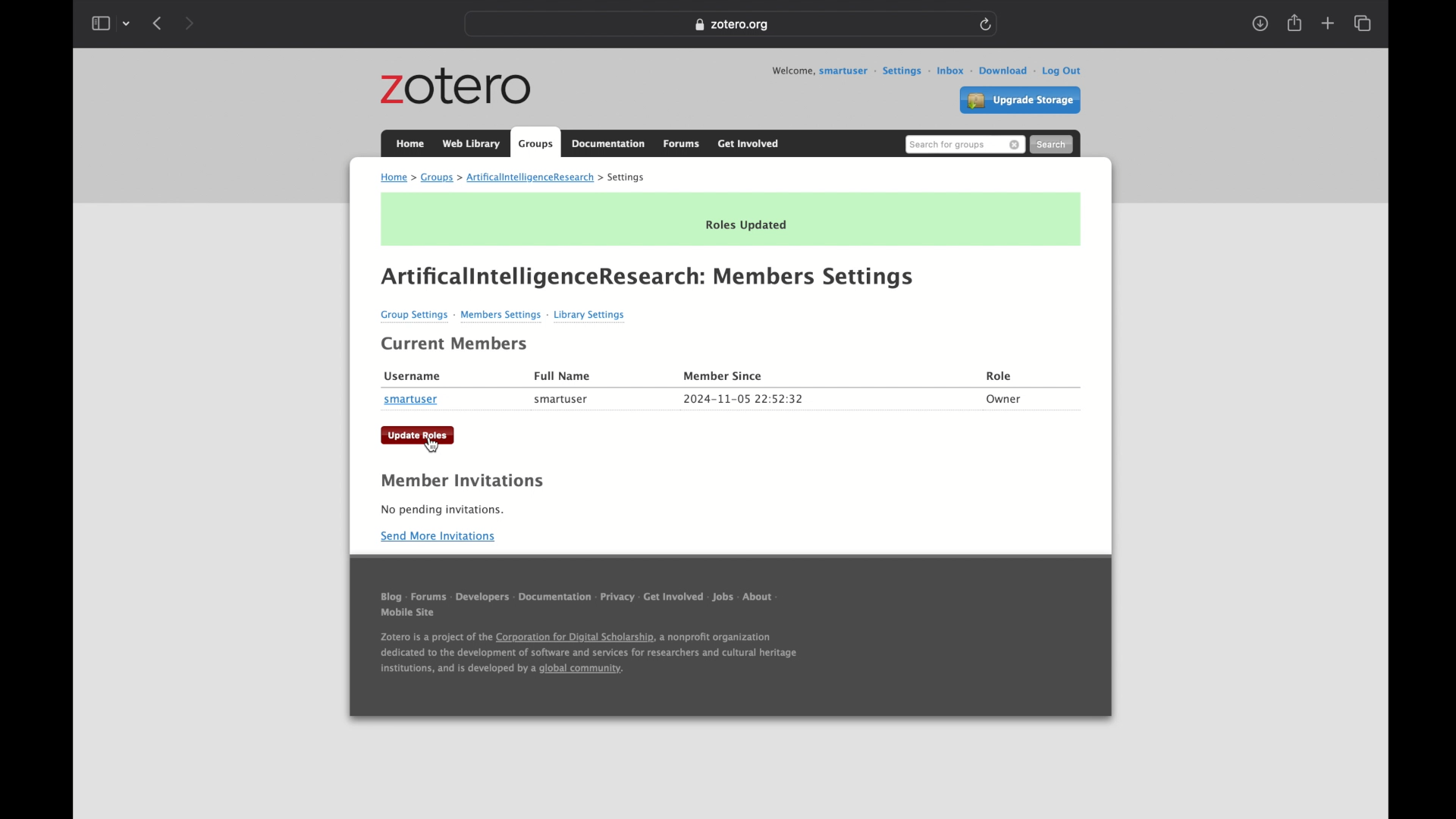 The height and width of the screenshot is (819, 1456). I want to click on home, so click(397, 179).